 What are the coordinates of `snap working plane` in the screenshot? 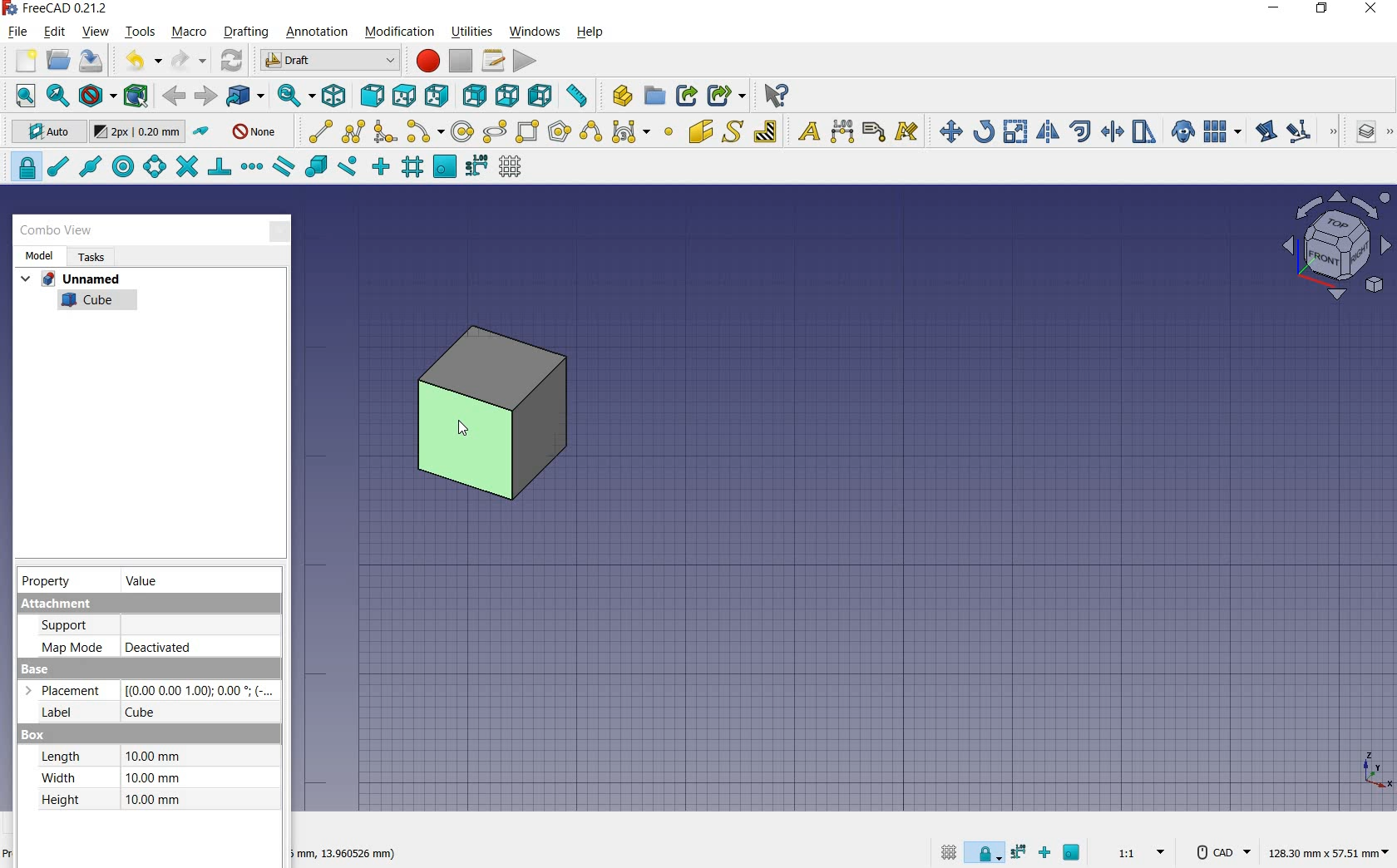 It's located at (446, 167).